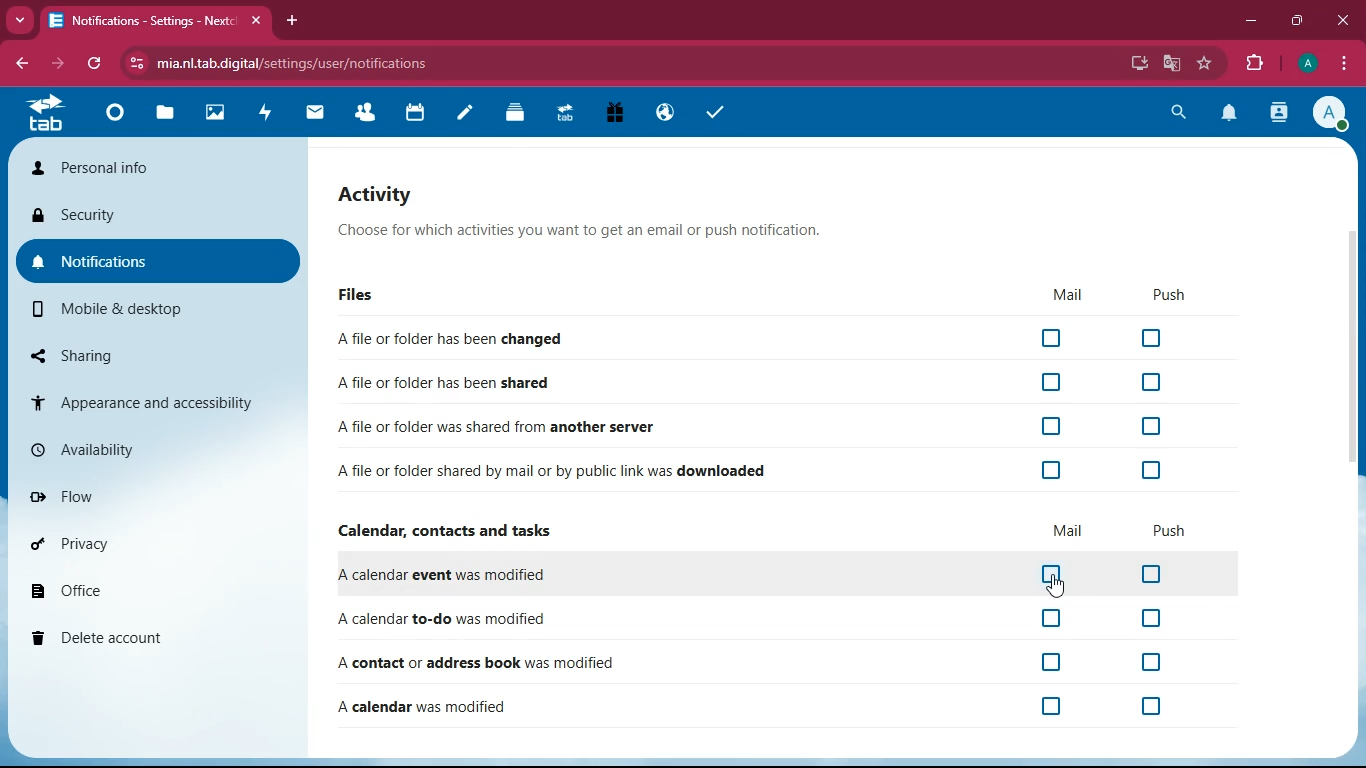  What do you see at coordinates (21, 21) in the screenshot?
I see `Drop down` at bounding box center [21, 21].